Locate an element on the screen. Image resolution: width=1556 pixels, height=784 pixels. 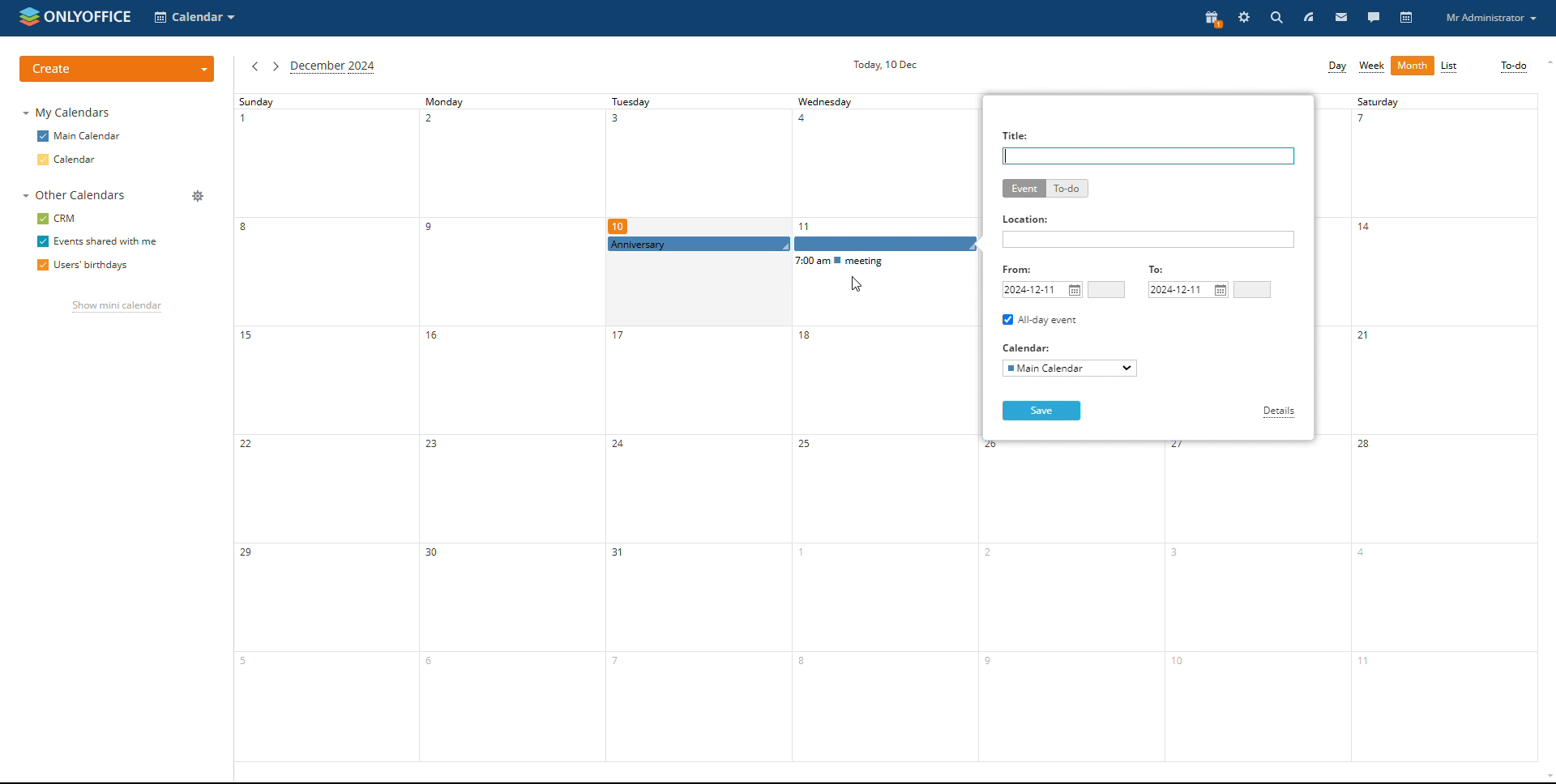
day view is located at coordinates (1336, 67).